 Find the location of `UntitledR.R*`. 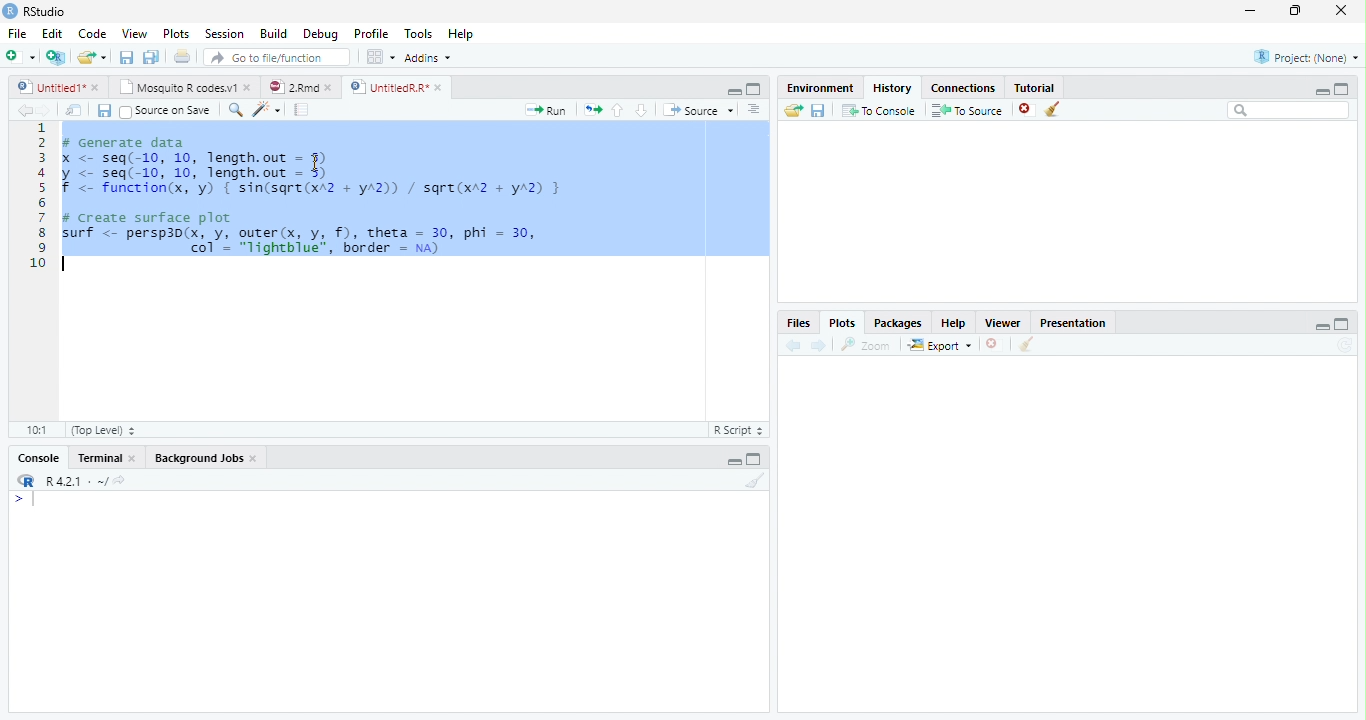

UntitledR.R* is located at coordinates (387, 87).